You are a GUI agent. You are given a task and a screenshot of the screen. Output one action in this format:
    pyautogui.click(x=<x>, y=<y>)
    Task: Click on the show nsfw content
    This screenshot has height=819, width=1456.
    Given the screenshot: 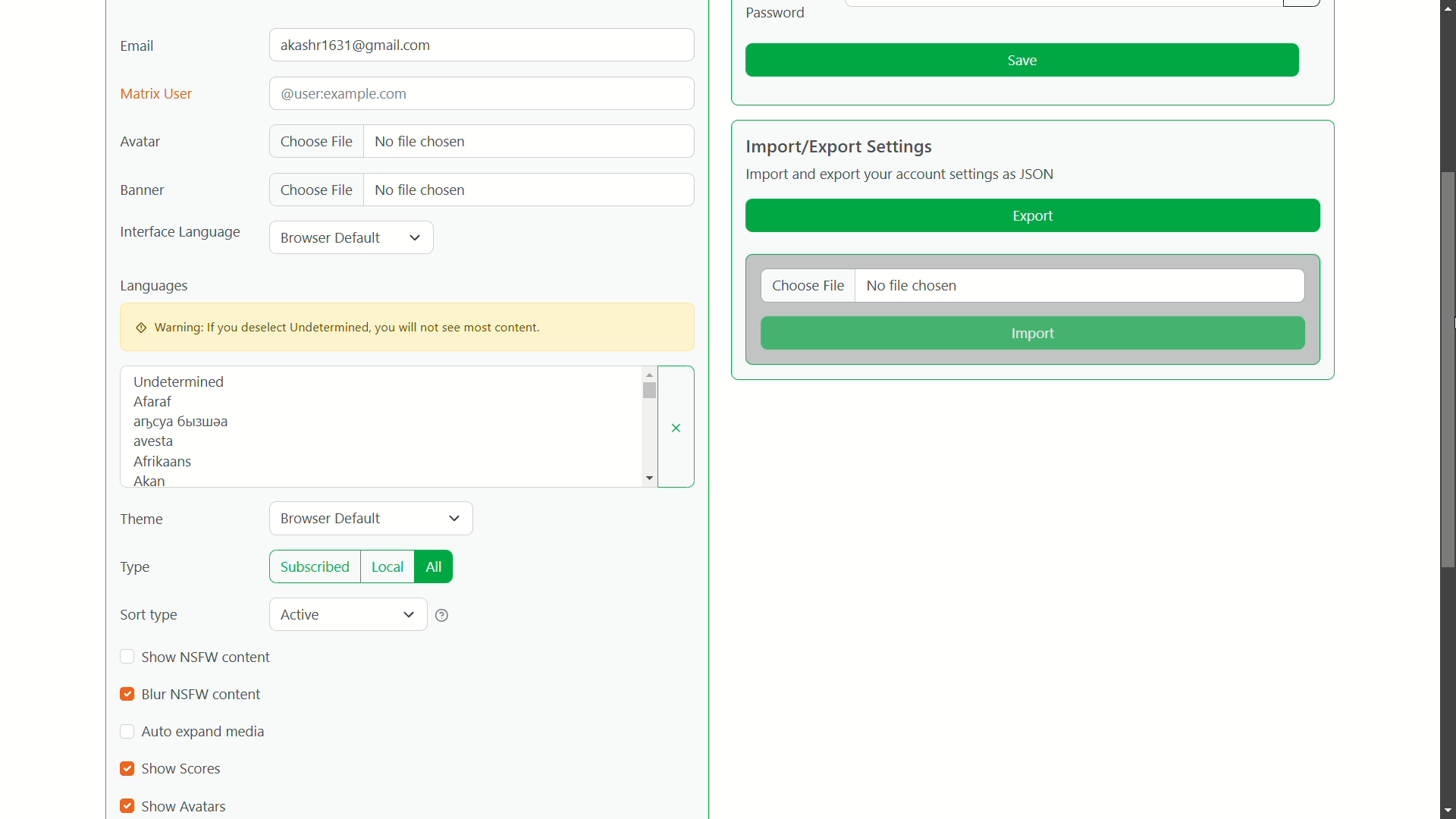 What is the action you would take?
    pyautogui.click(x=210, y=655)
    